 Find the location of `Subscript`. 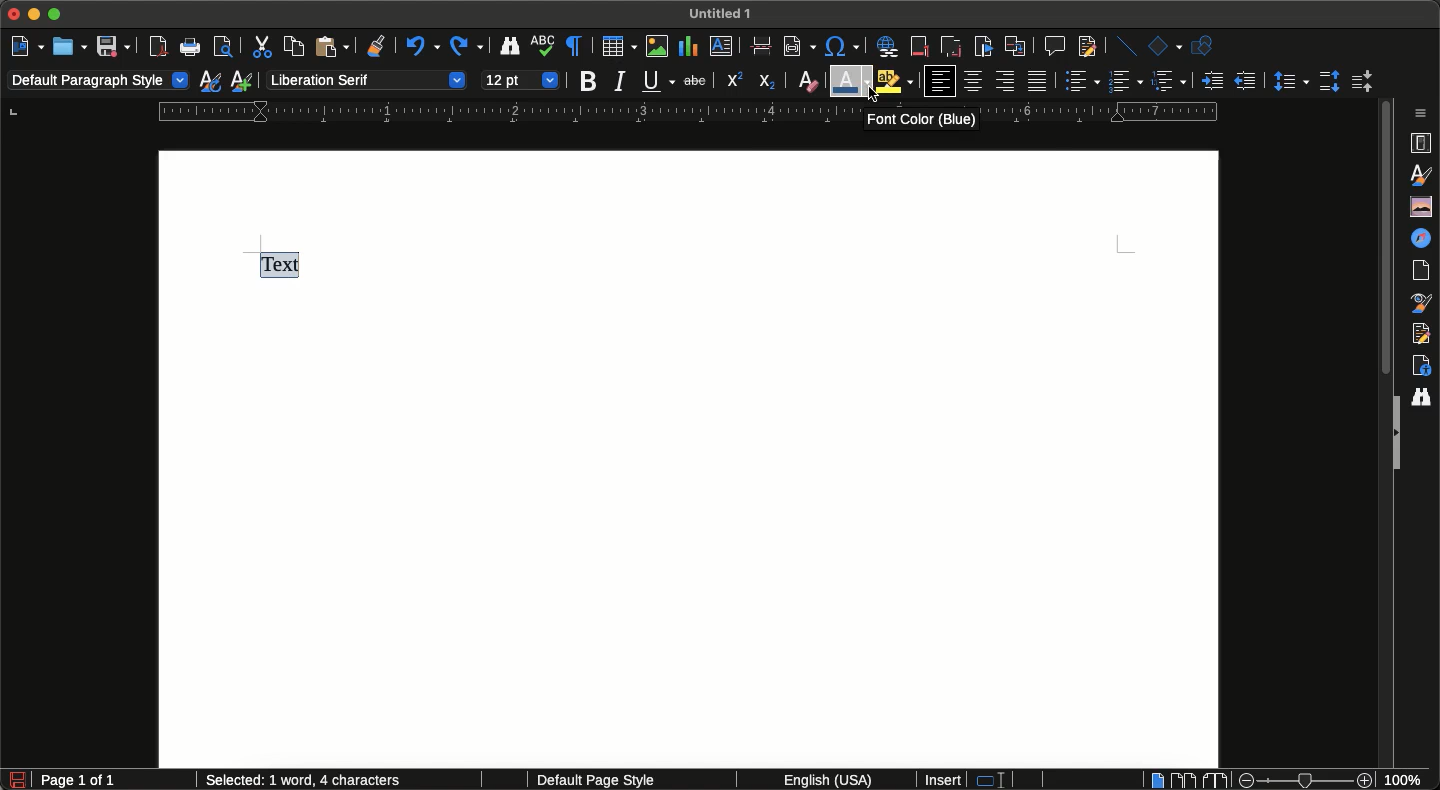

Subscript is located at coordinates (768, 82).